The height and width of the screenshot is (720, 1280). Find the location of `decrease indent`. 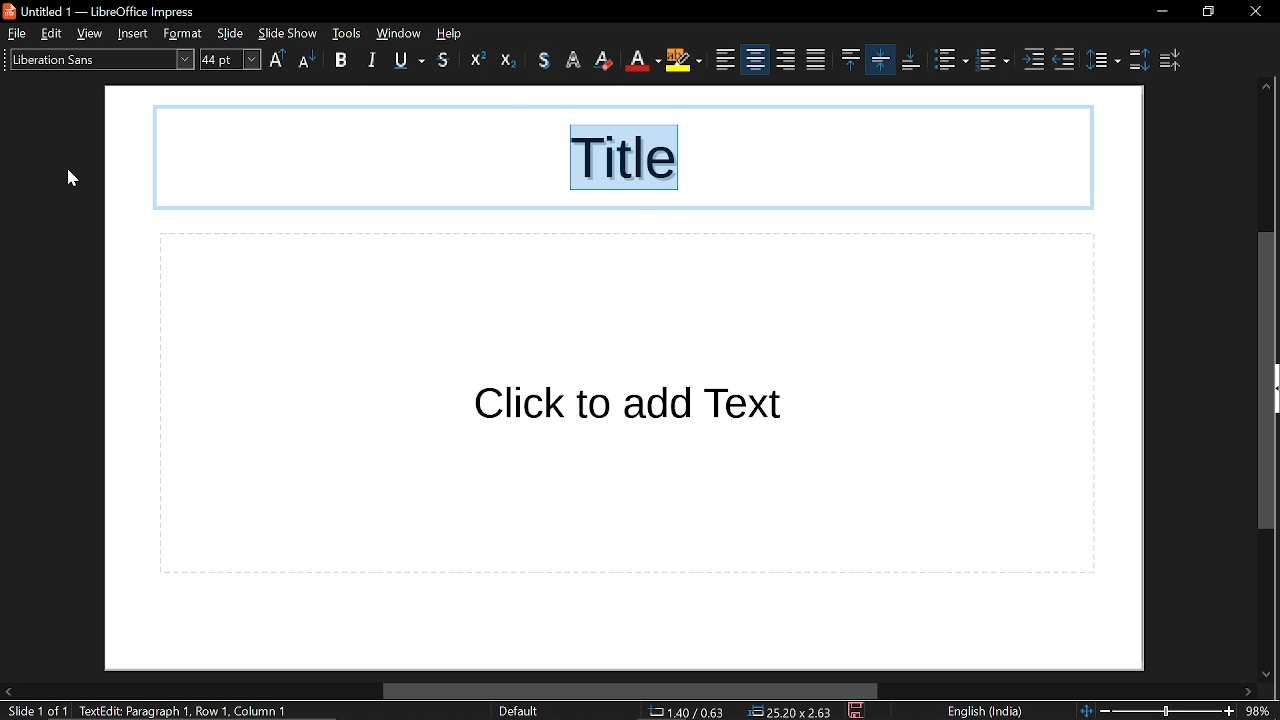

decrease indent is located at coordinates (1064, 60).